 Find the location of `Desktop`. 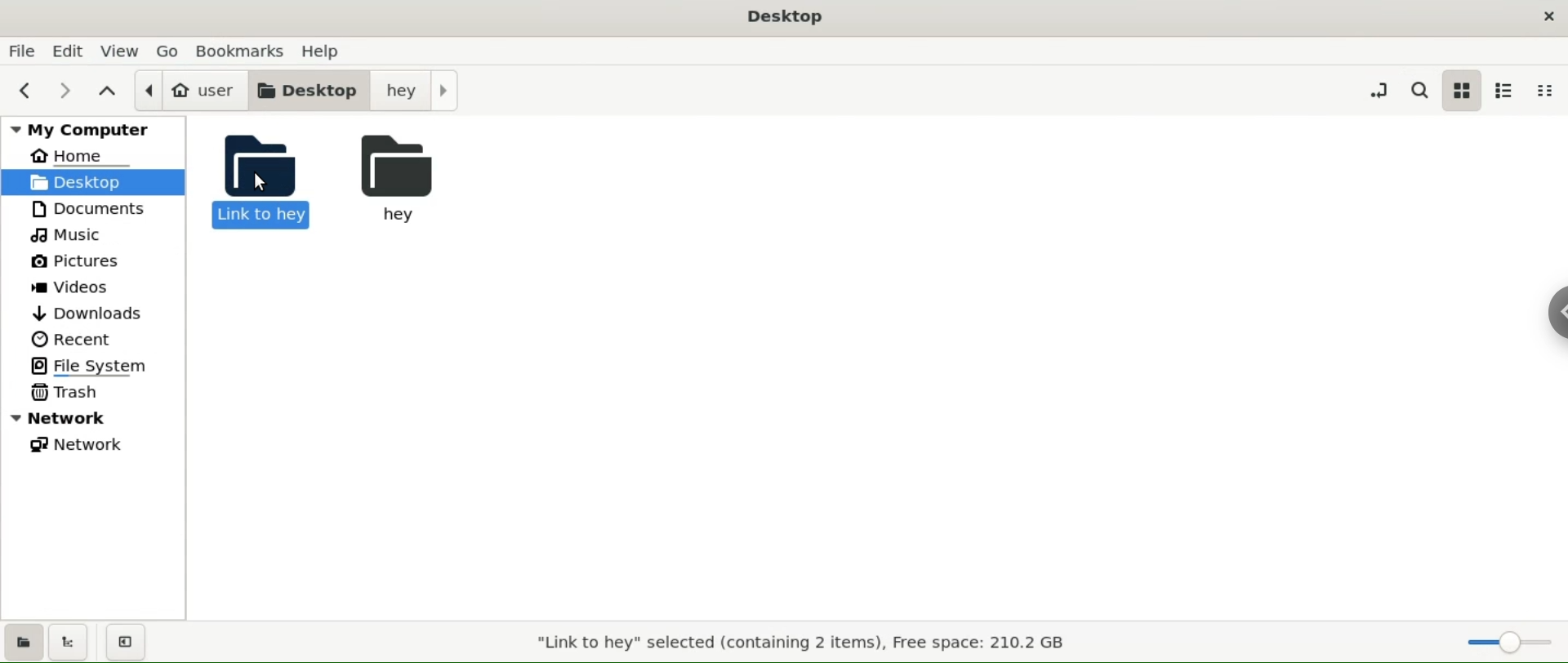

Desktop is located at coordinates (791, 16).